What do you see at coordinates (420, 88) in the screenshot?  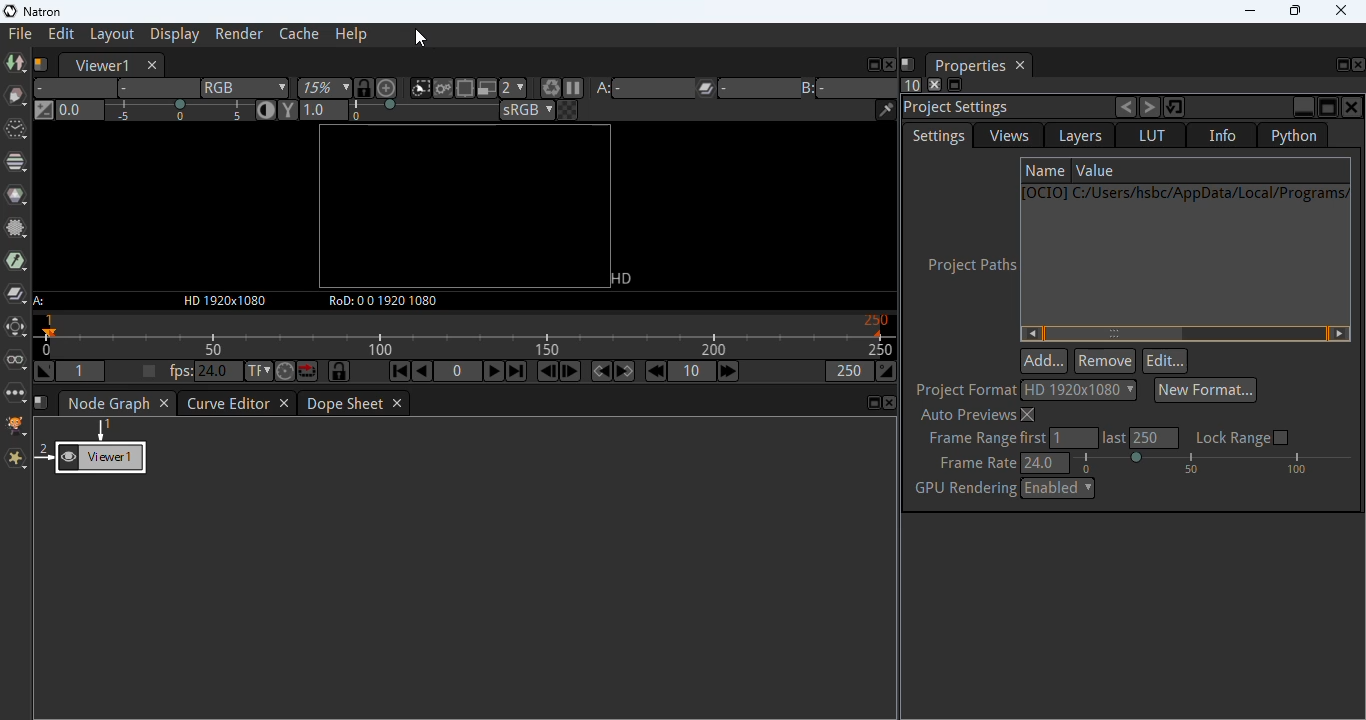 I see `clips the portion of the image displayed on the viewer to the input stream format` at bounding box center [420, 88].